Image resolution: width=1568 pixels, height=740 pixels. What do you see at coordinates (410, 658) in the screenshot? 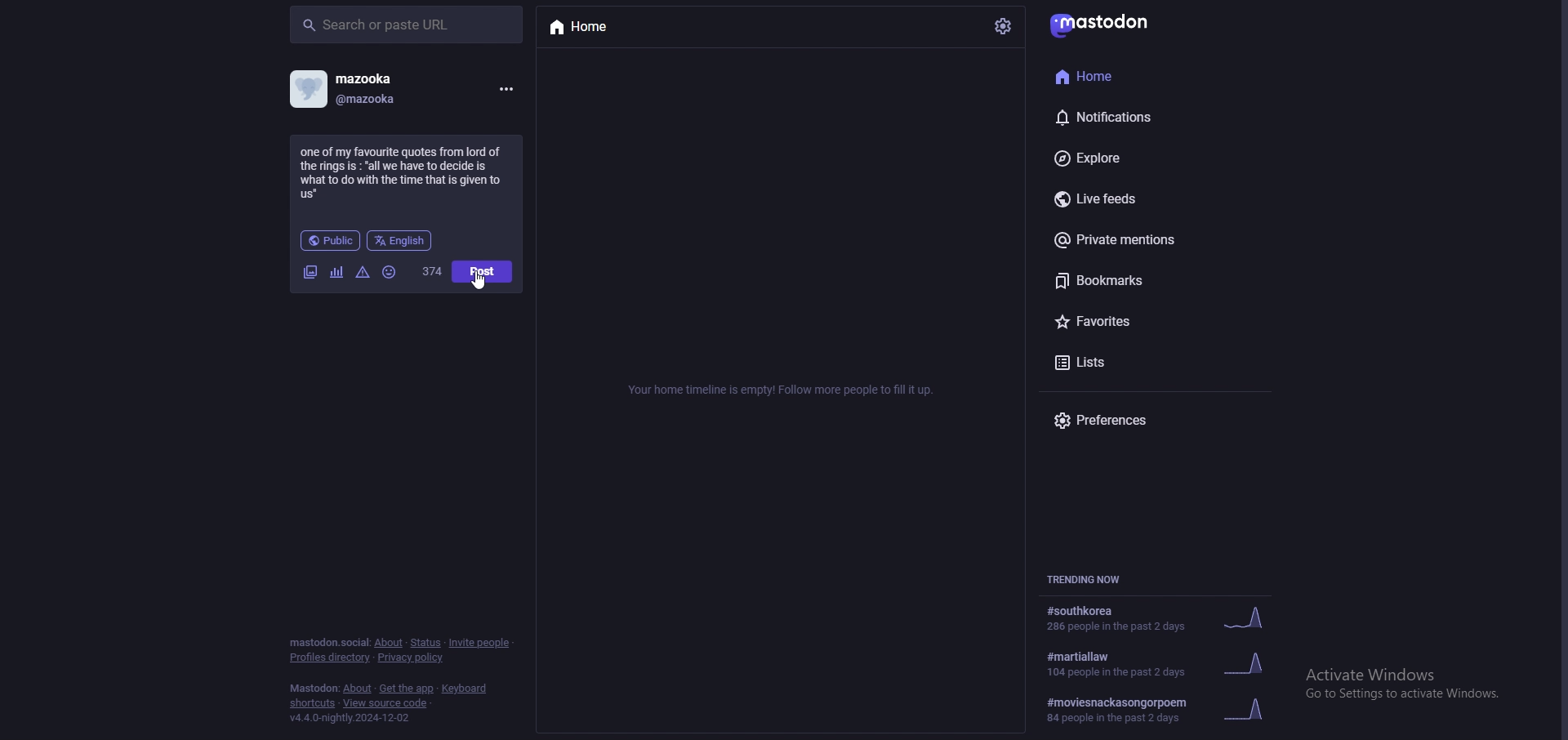
I see `privacy policy` at bounding box center [410, 658].